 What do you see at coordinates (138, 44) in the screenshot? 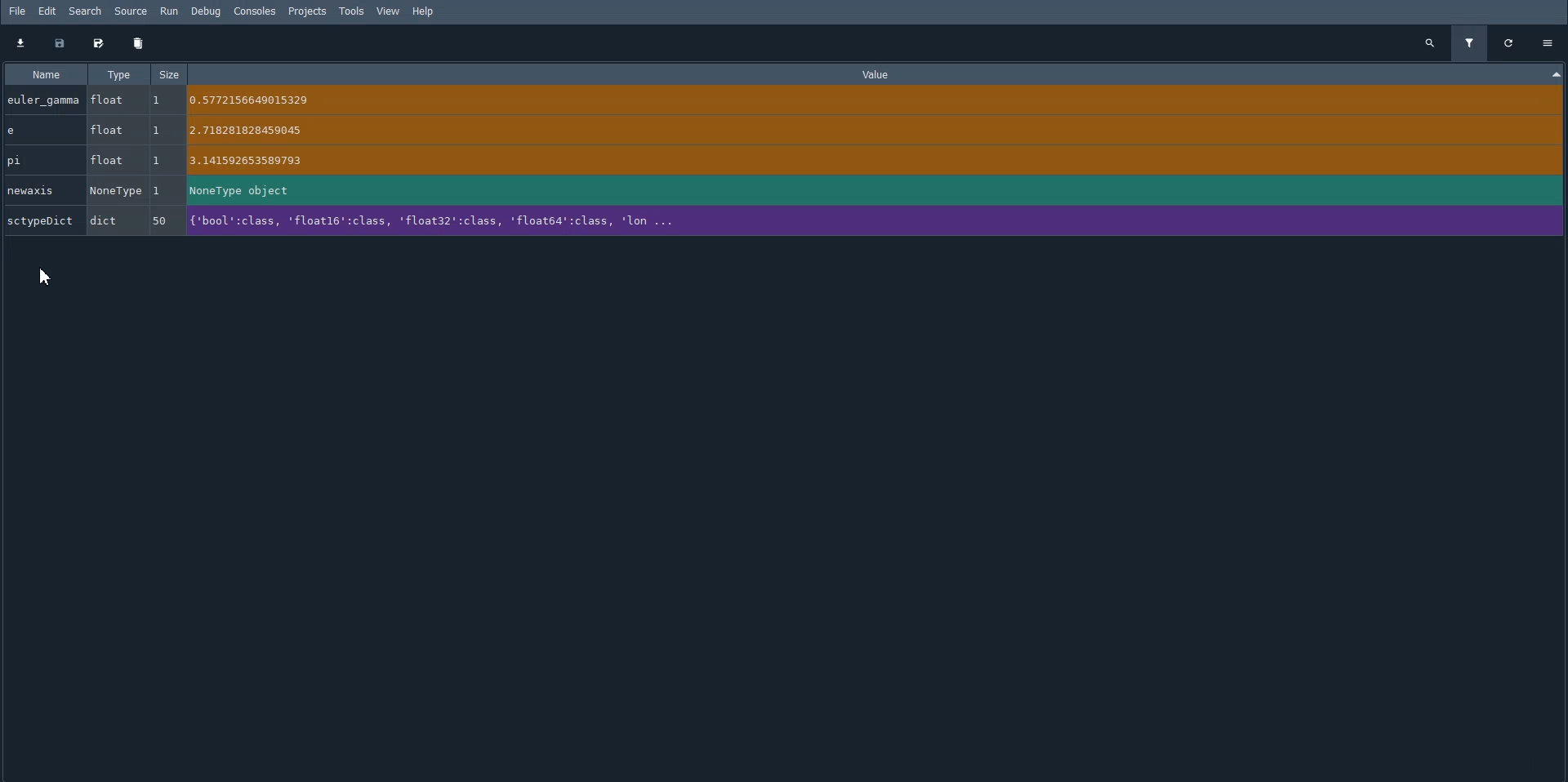
I see `Remove all variables` at bounding box center [138, 44].